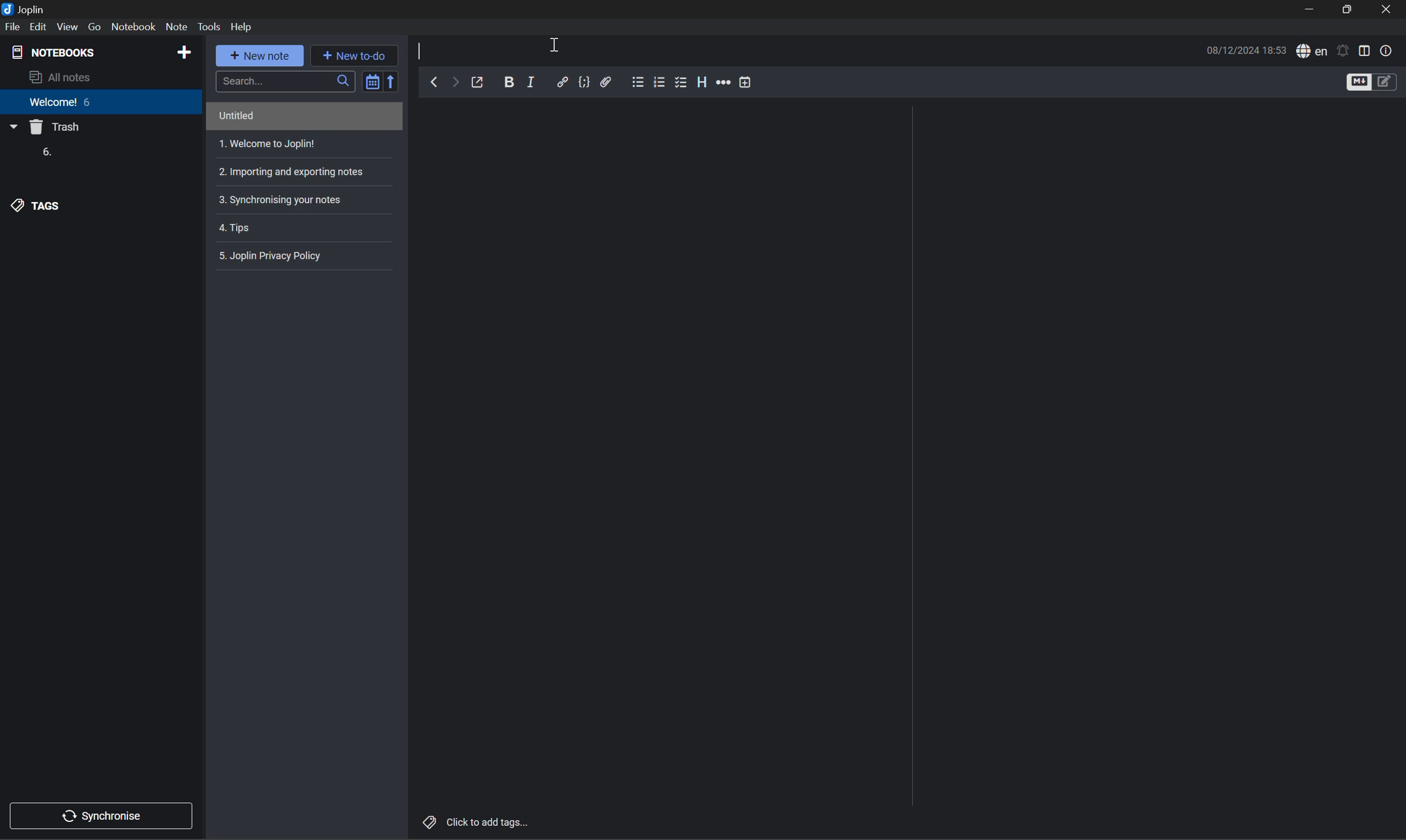 The height and width of the screenshot is (840, 1406). What do you see at coordinates (69, 26) in the screenshot?
I see `View` at bounding box center [69, 26].